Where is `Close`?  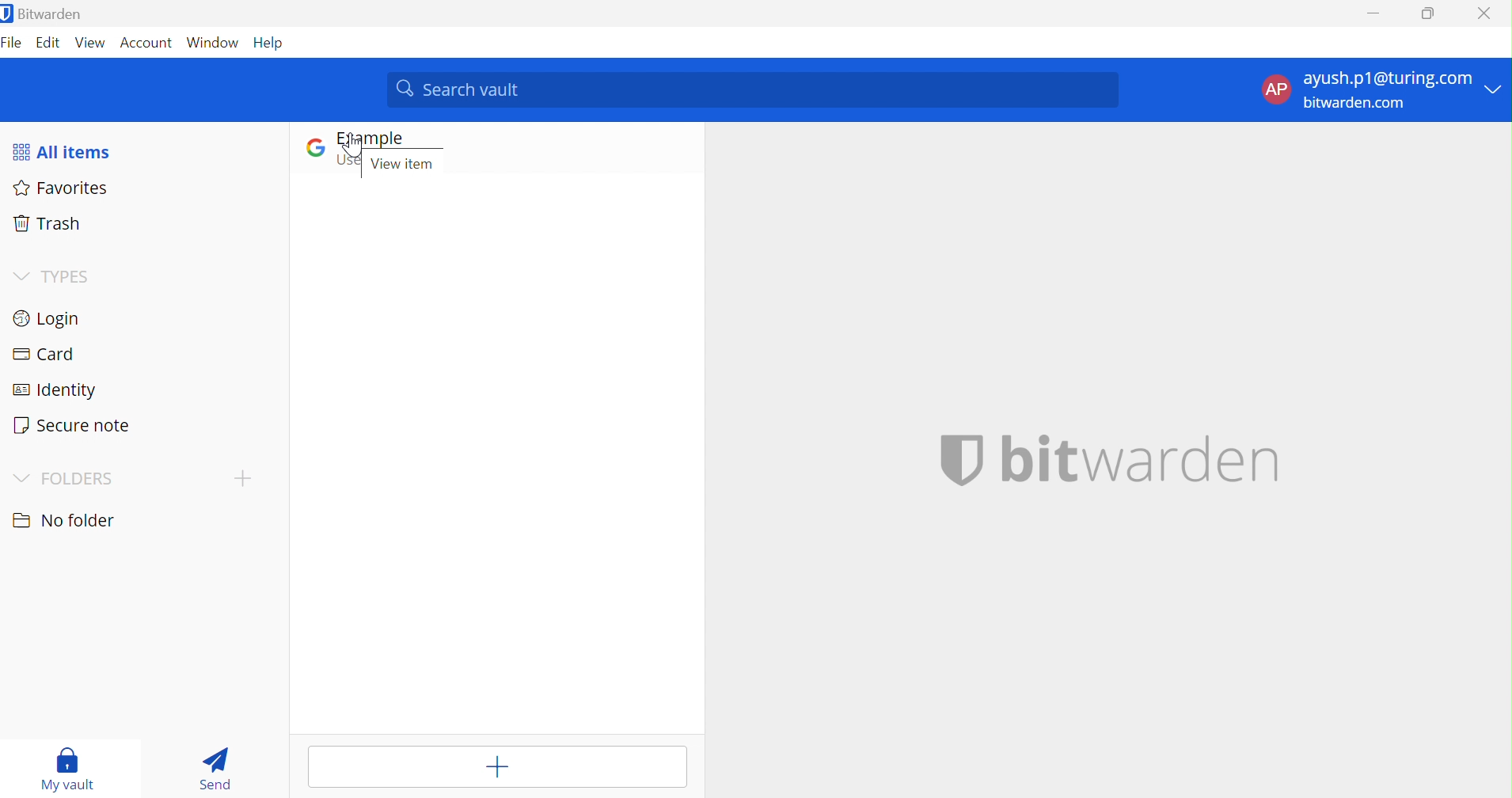
Close is located at coordinates (1484, 11).